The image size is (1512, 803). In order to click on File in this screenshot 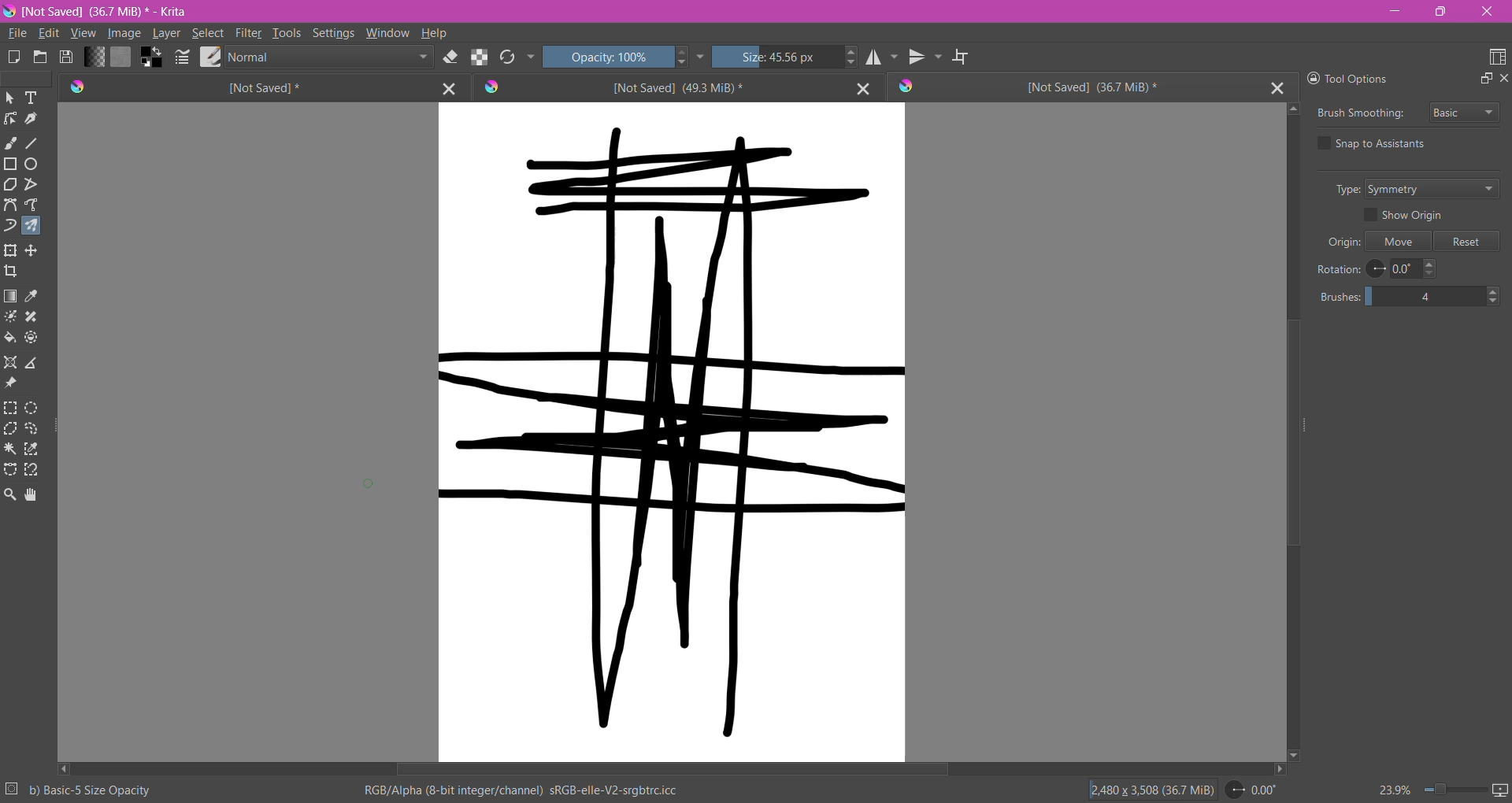, I will do `click(16, 34)`.